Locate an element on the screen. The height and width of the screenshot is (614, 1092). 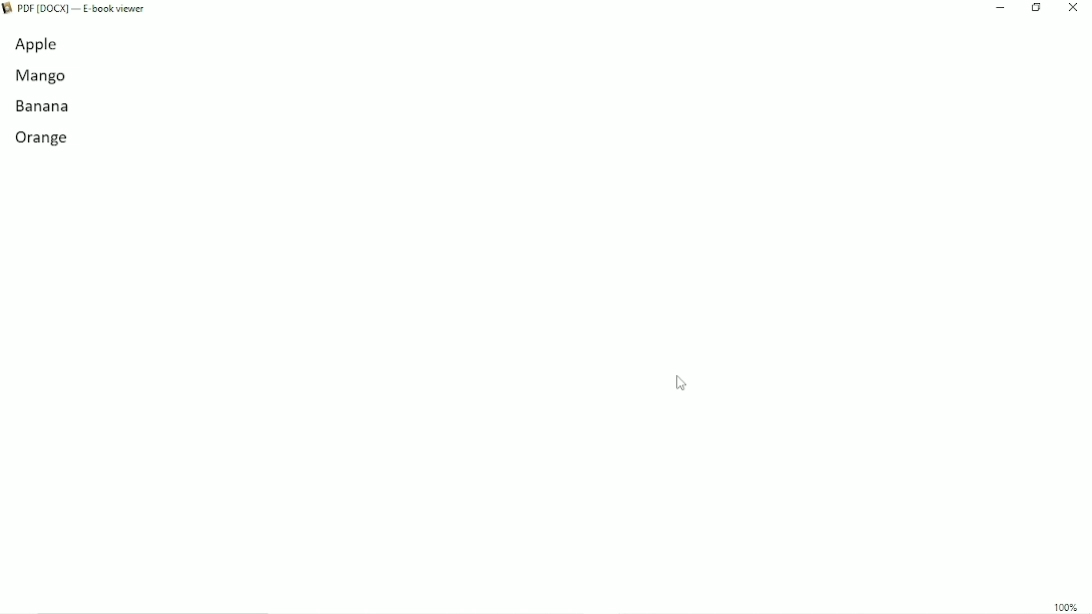
Cursor is located at coordinates (680, 384).